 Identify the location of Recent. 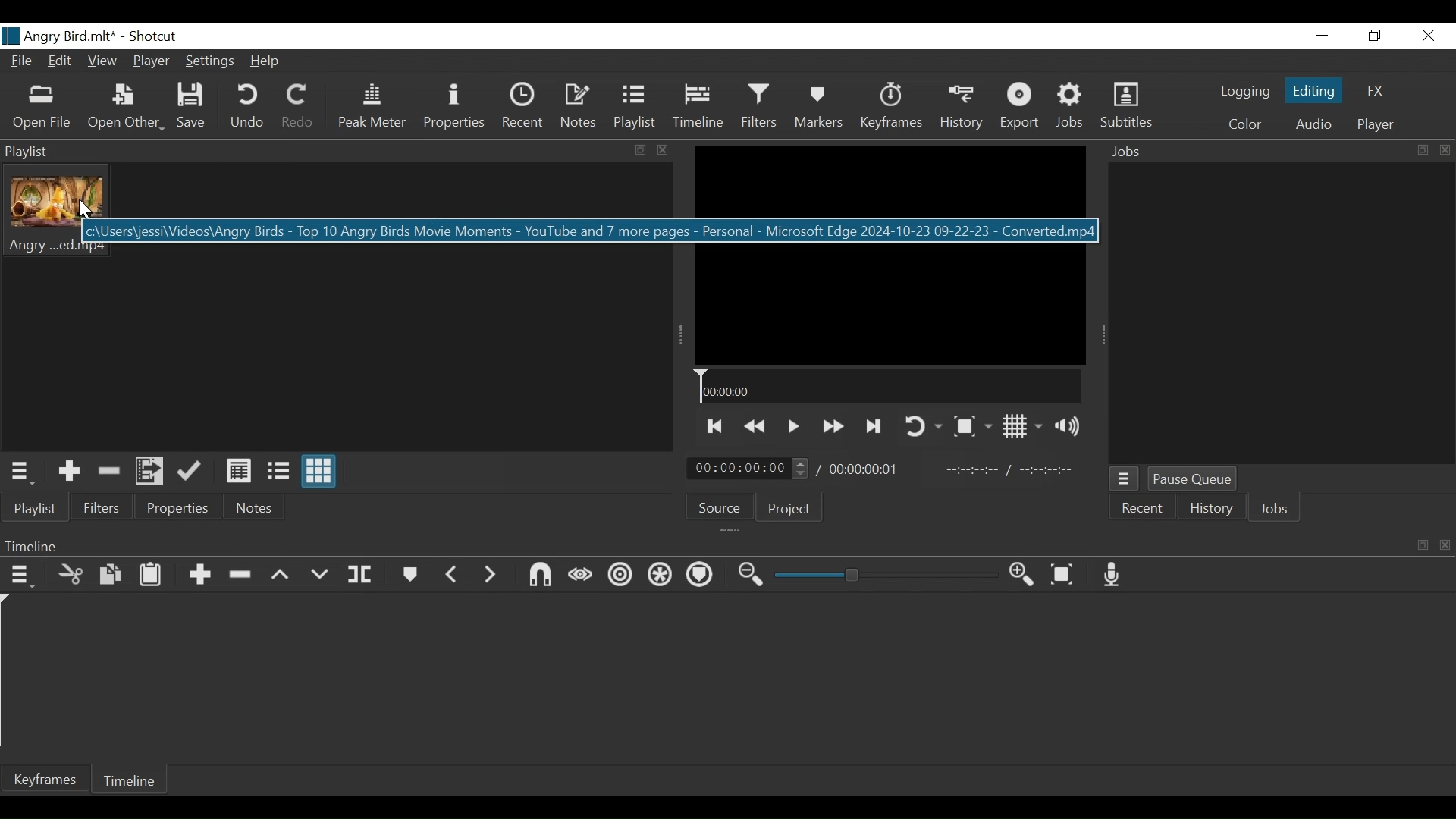
(1144, 507).